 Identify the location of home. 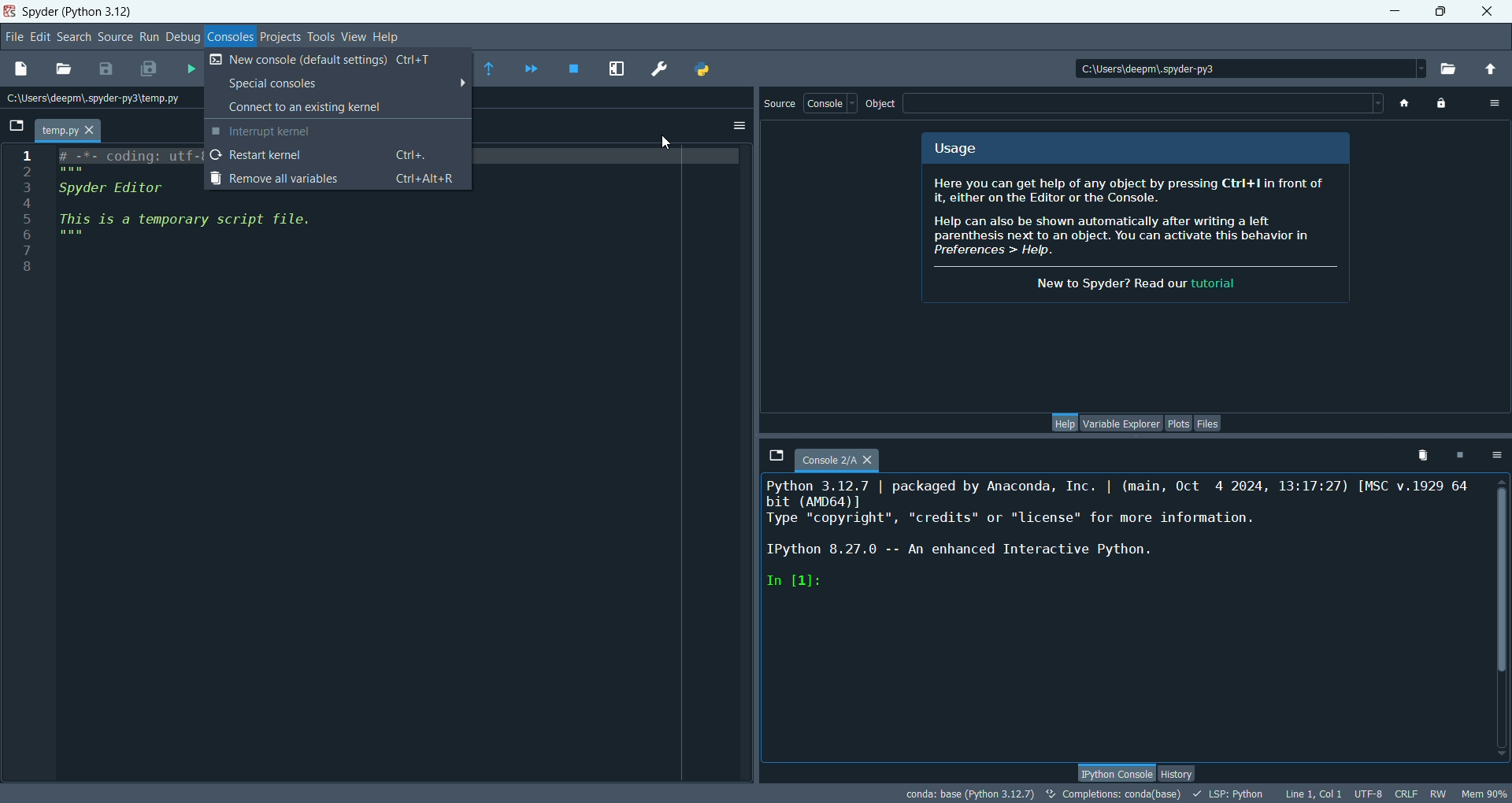
(1406, 102).